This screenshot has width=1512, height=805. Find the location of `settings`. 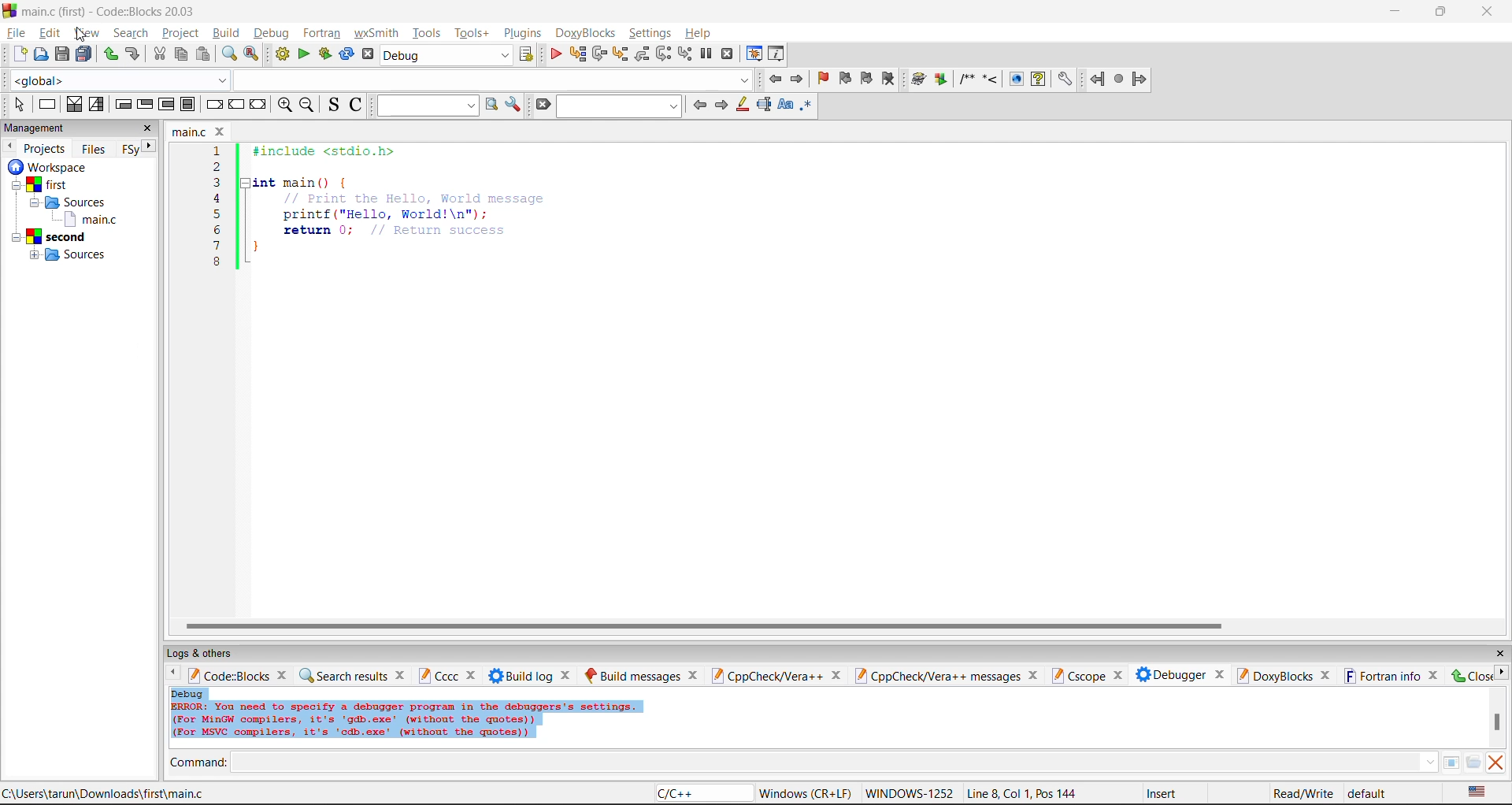

settings is located at coordinates (648, 32).